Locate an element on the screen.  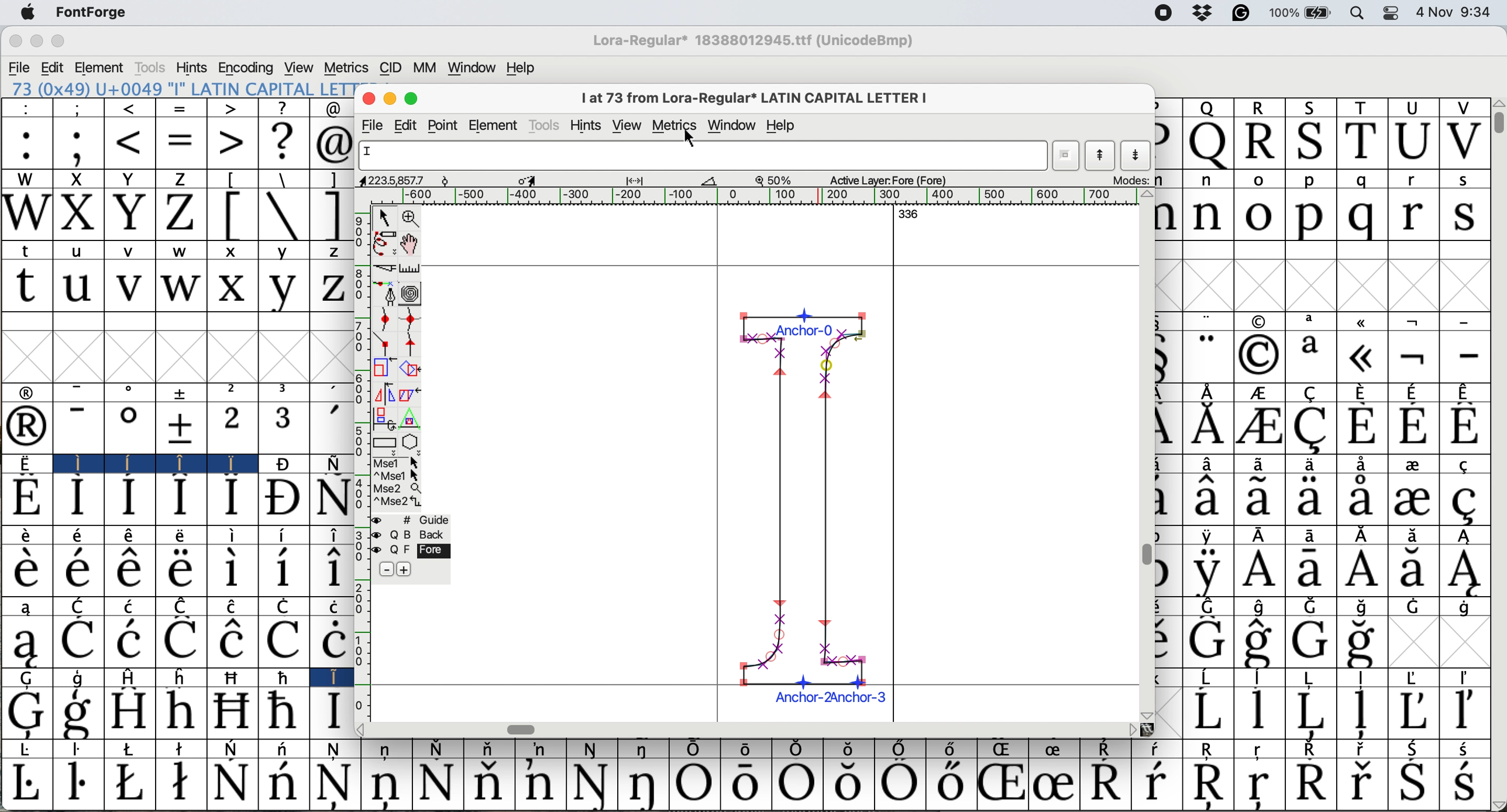
Y is located at coordinates (129, 215).